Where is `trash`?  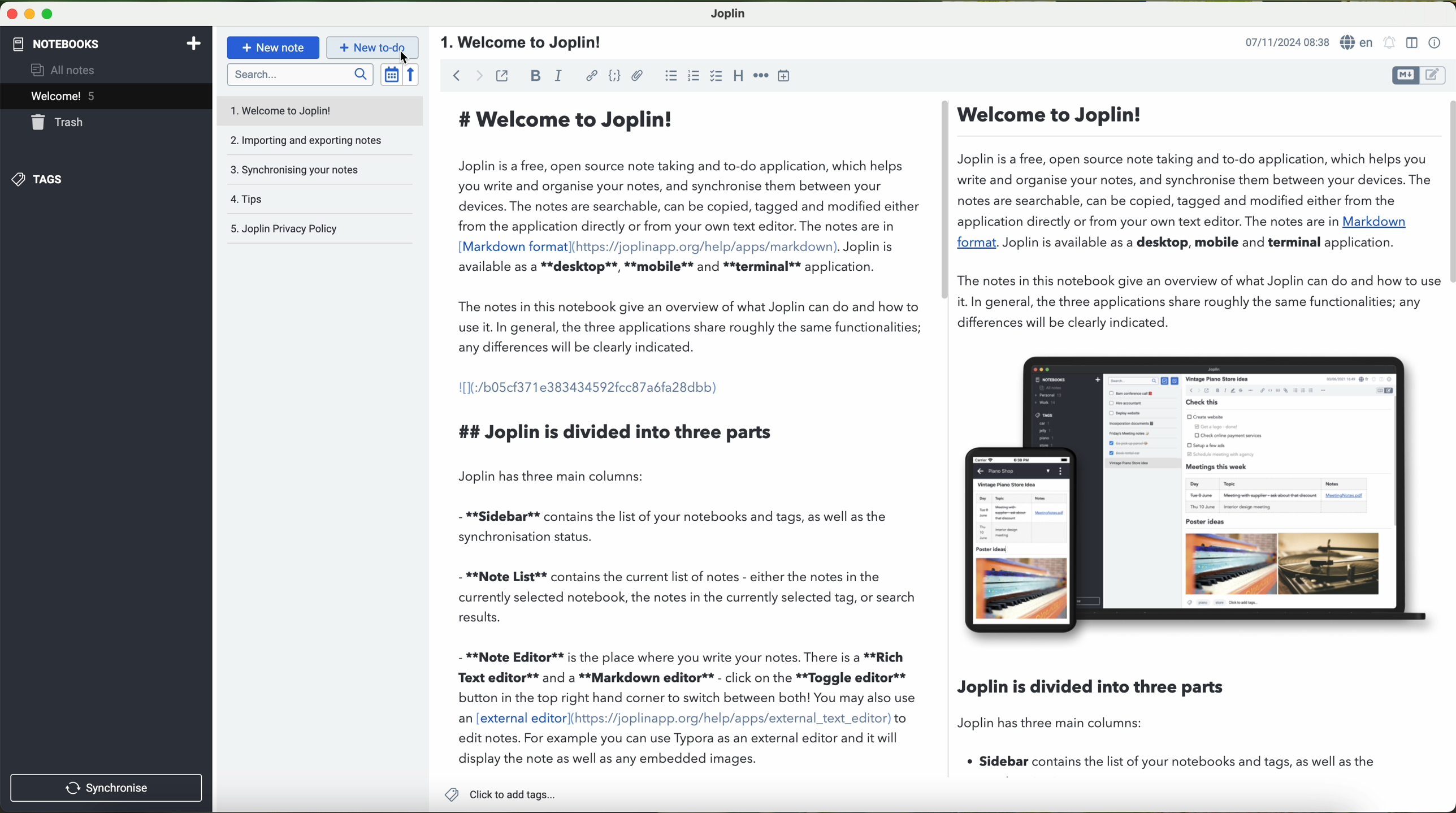
trash is located at coordinates (58, 124).